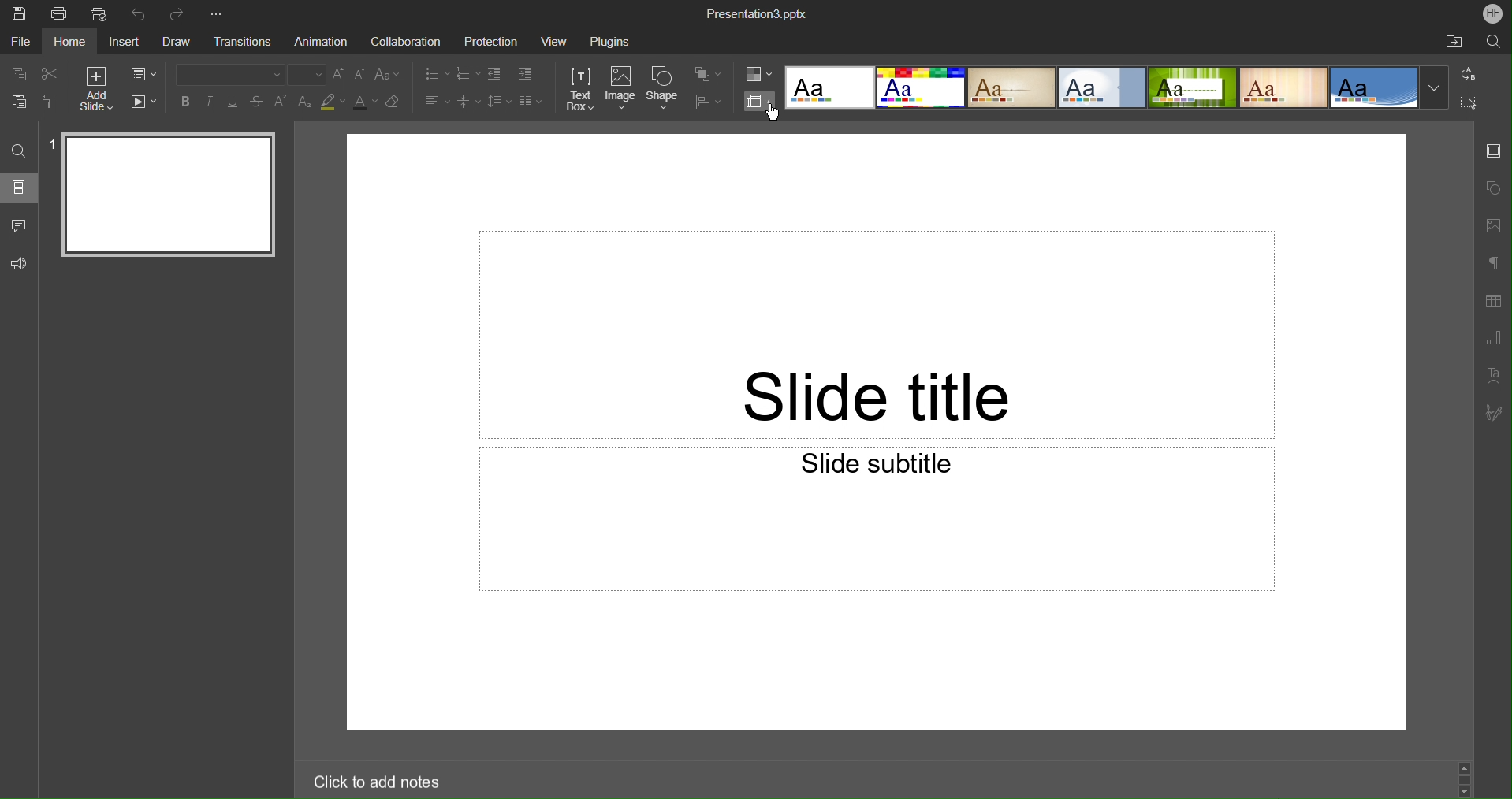 The image size is (1512, 799). What do you see at coordinates (1494, 224) in the screenshot?
I see `Image Settings` at bounding box center [1494, 224].